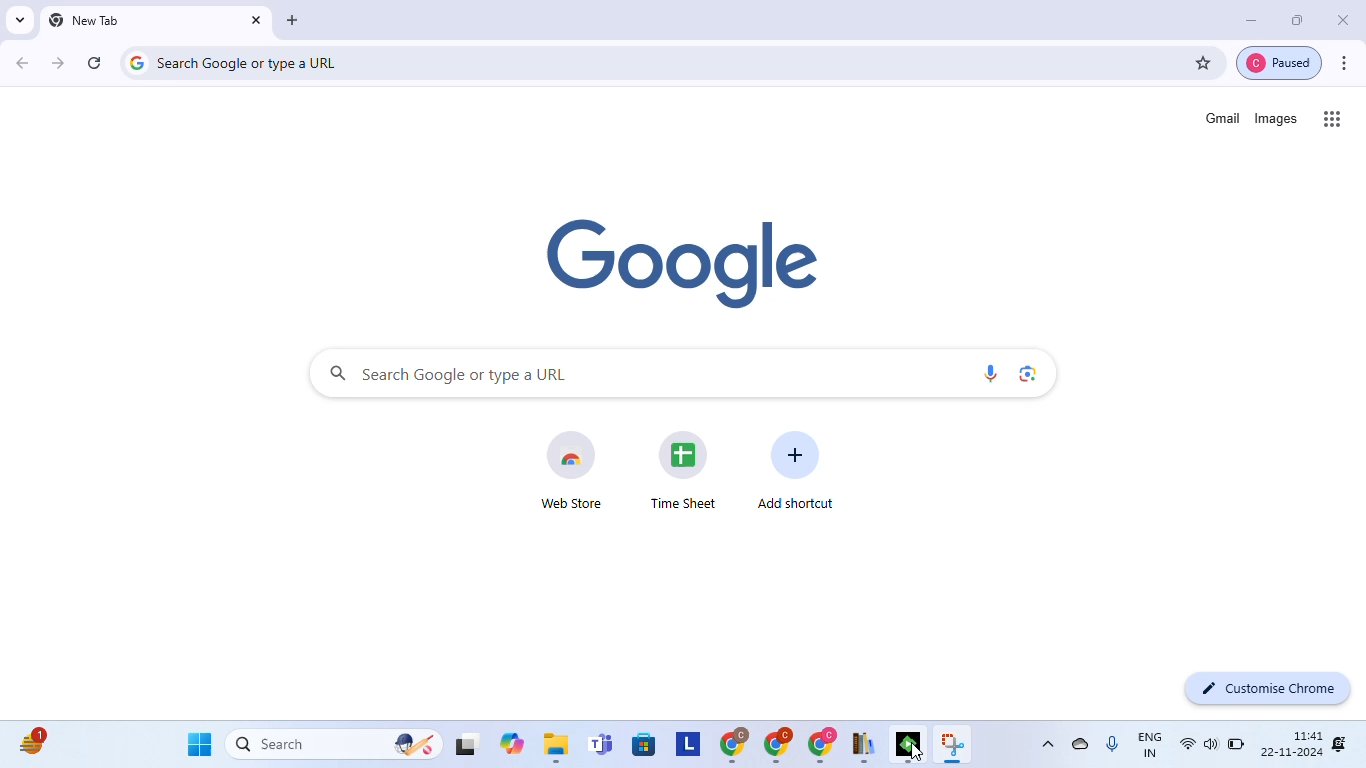  I want to click on reload this page, so click(94, 63).